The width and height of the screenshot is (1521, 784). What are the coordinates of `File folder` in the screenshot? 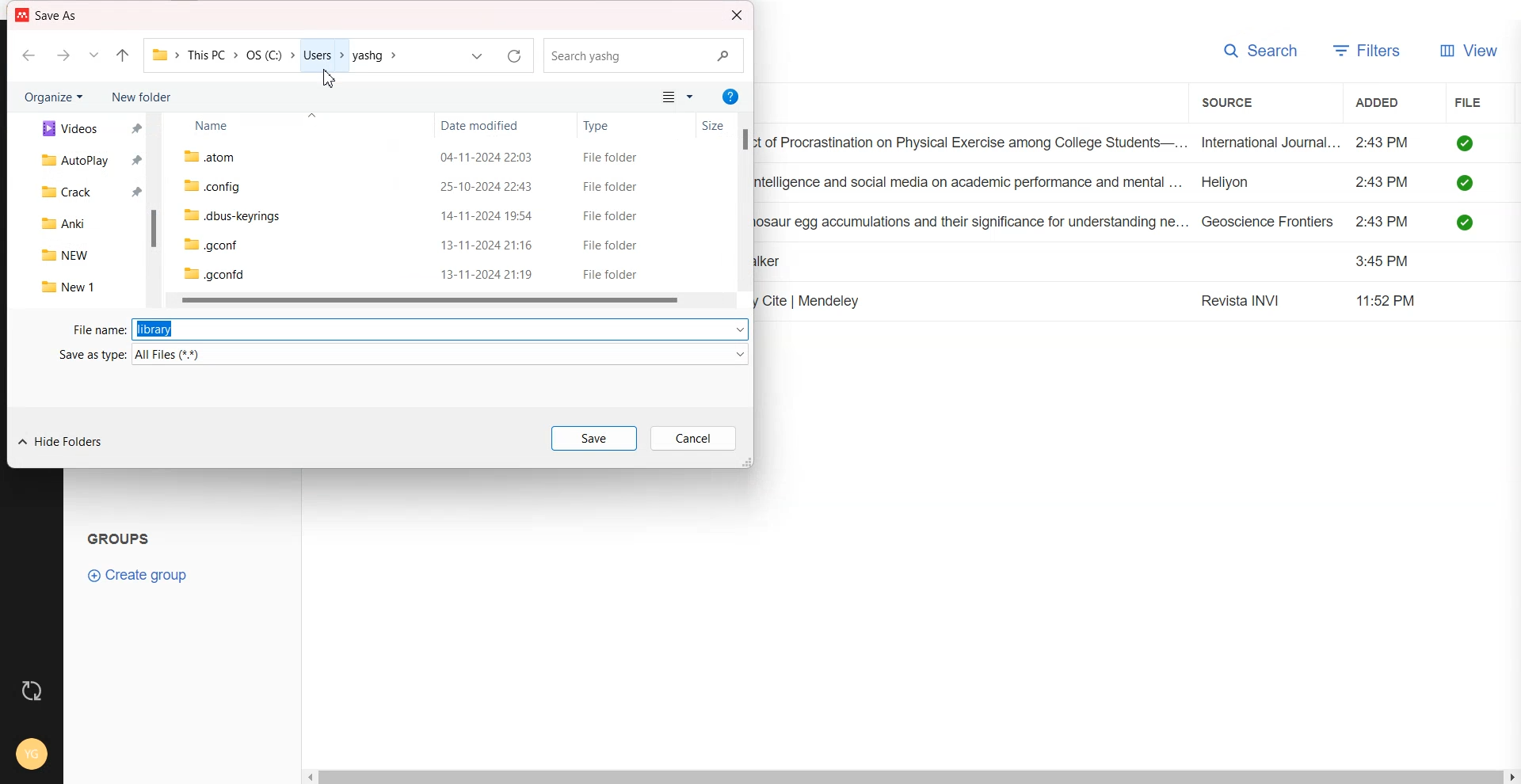 It's located at (612, 274).